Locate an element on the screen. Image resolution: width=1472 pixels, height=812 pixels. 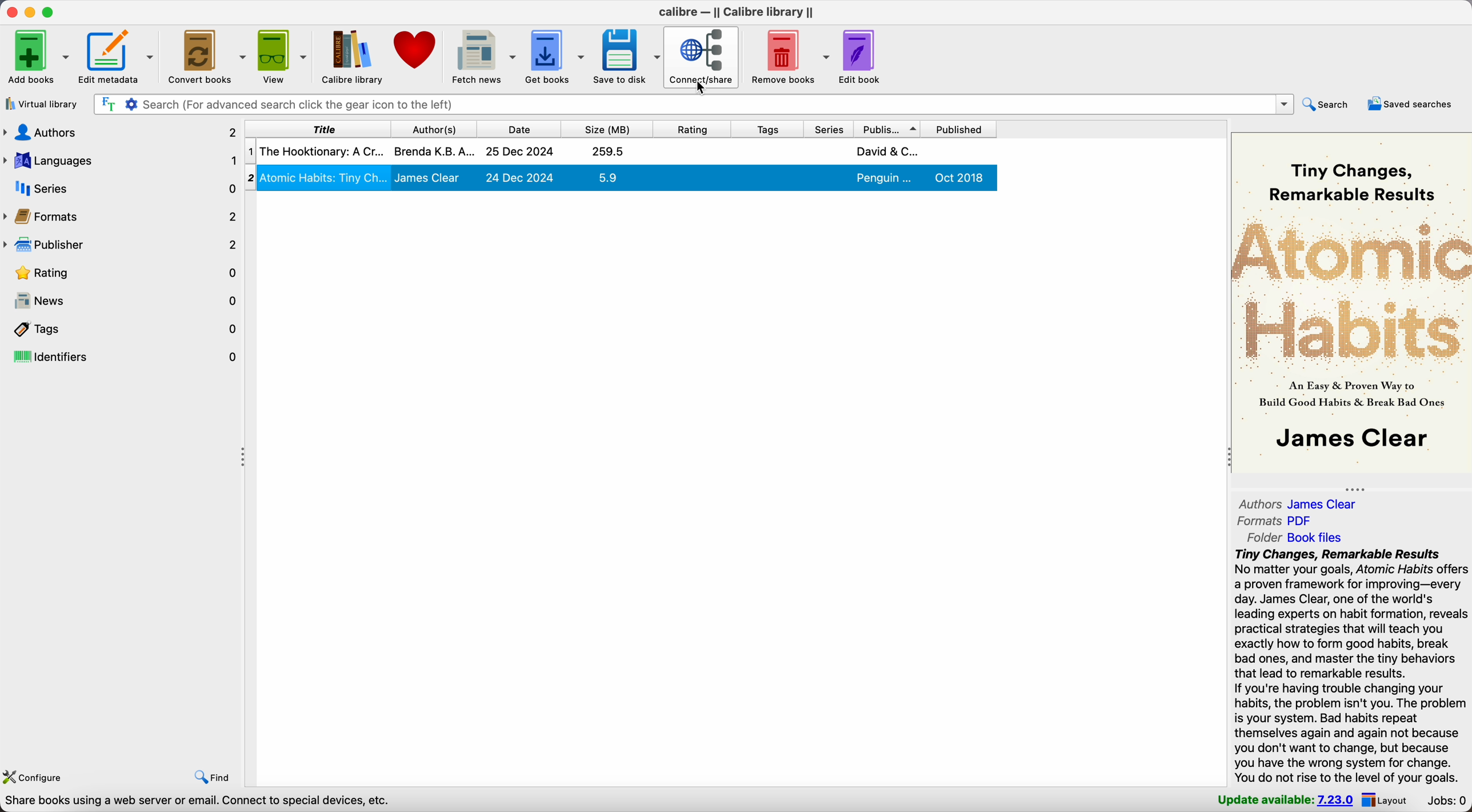
donate is located at coordinates (417, 55).